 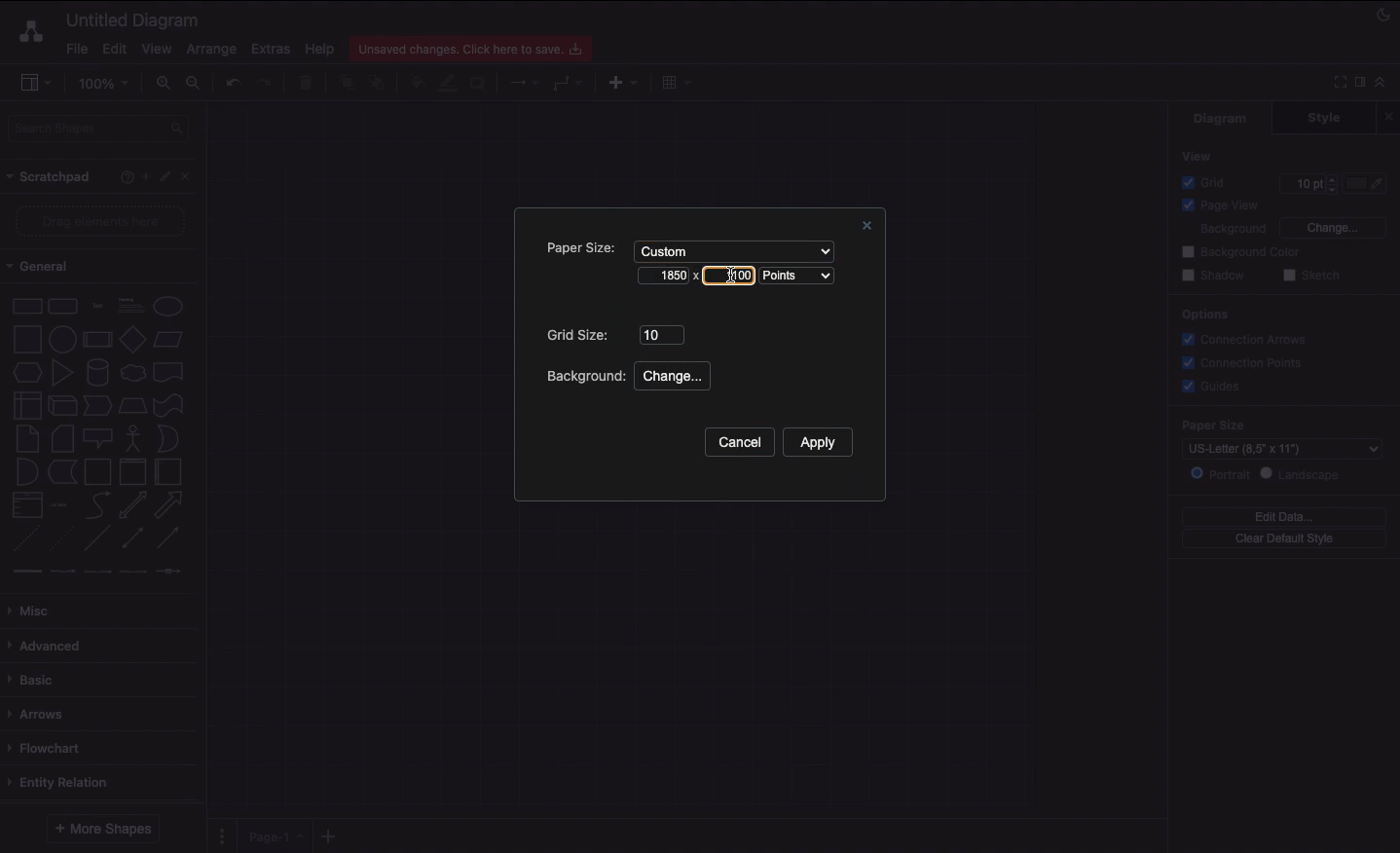 I want to click on Or, so click(x=168, y=437).